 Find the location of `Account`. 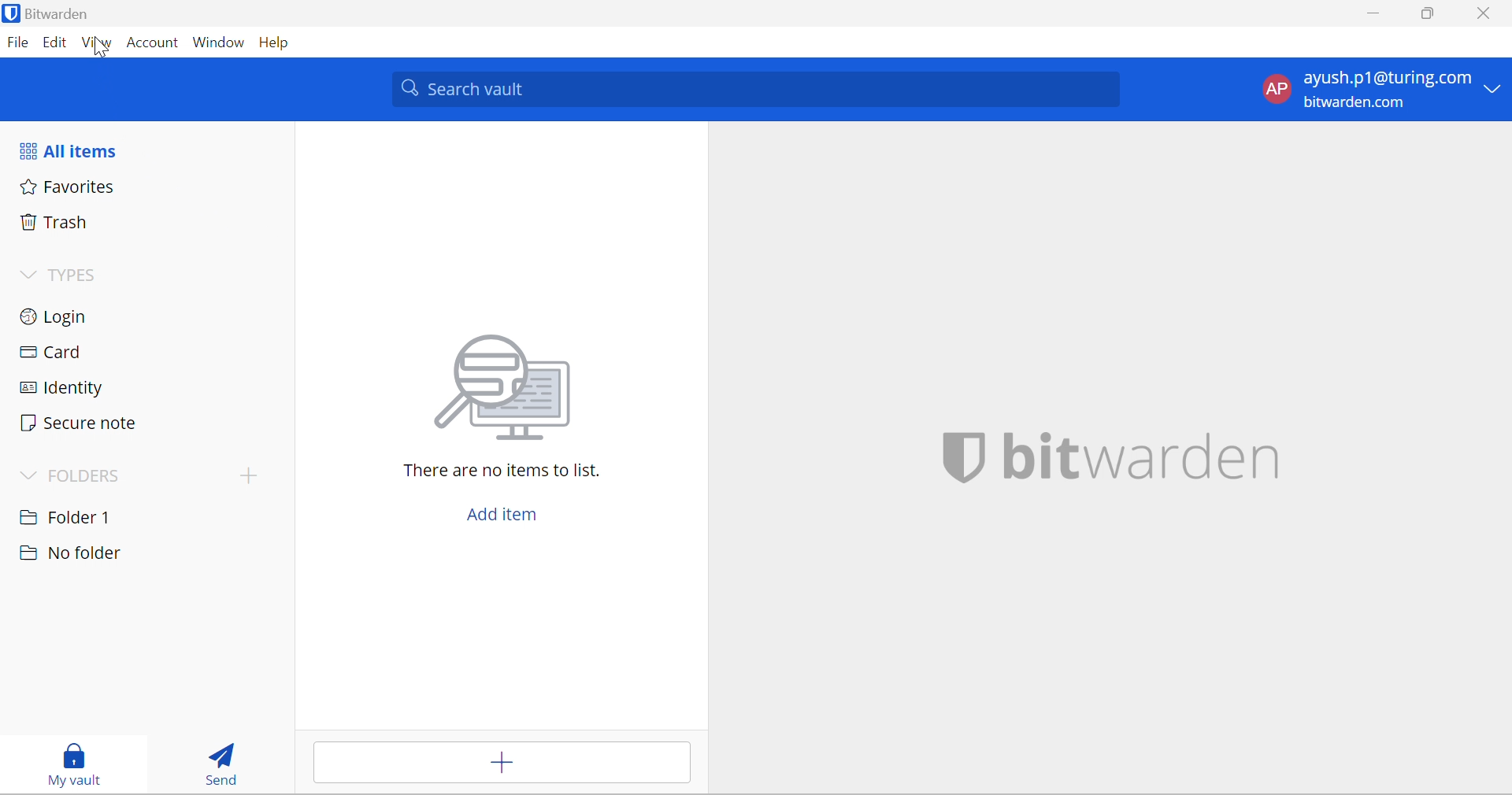

Account is located at coordinates (152, 44).